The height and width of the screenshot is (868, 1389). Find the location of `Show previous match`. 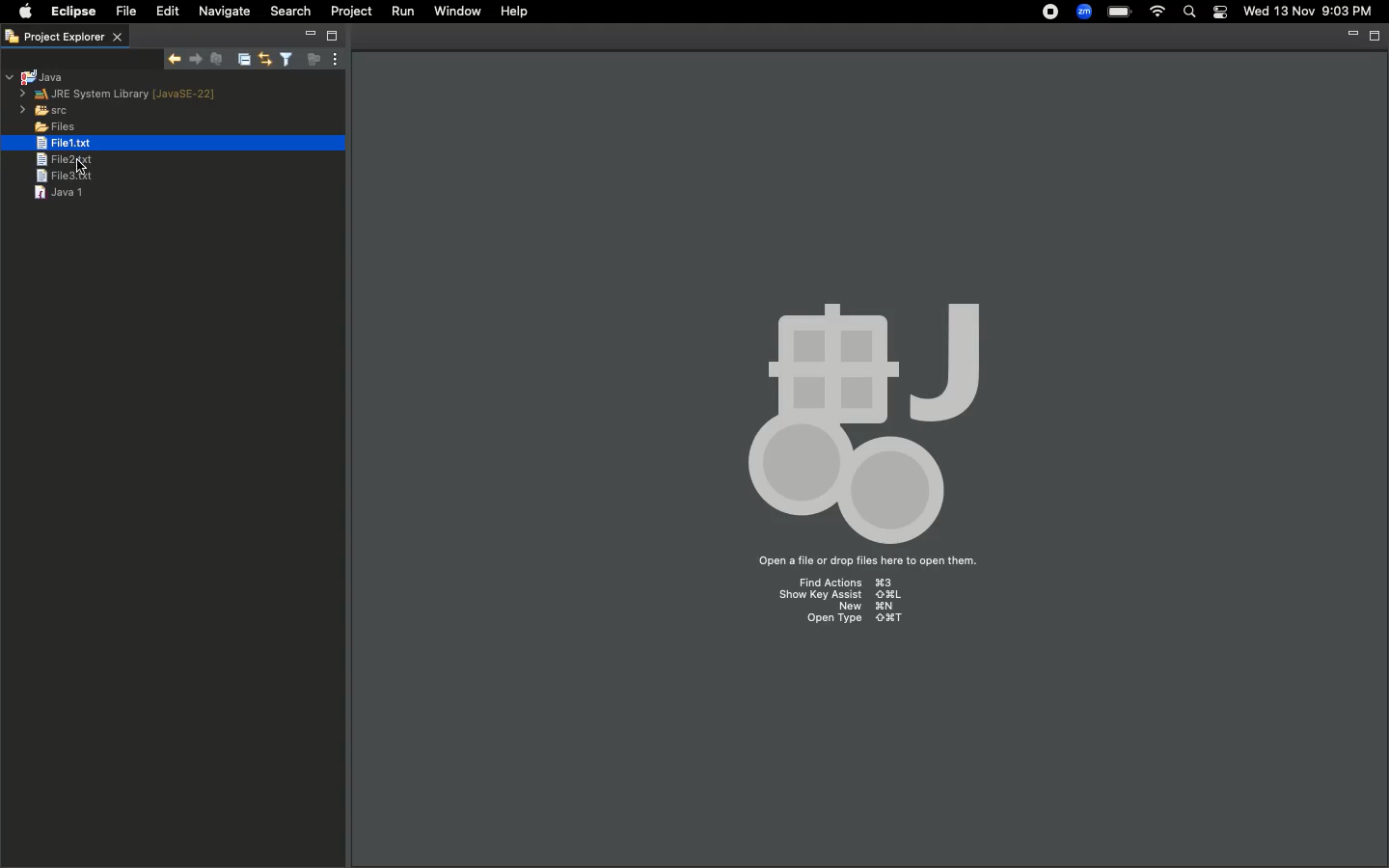

Show previous match is located at coordinates (198, 59).